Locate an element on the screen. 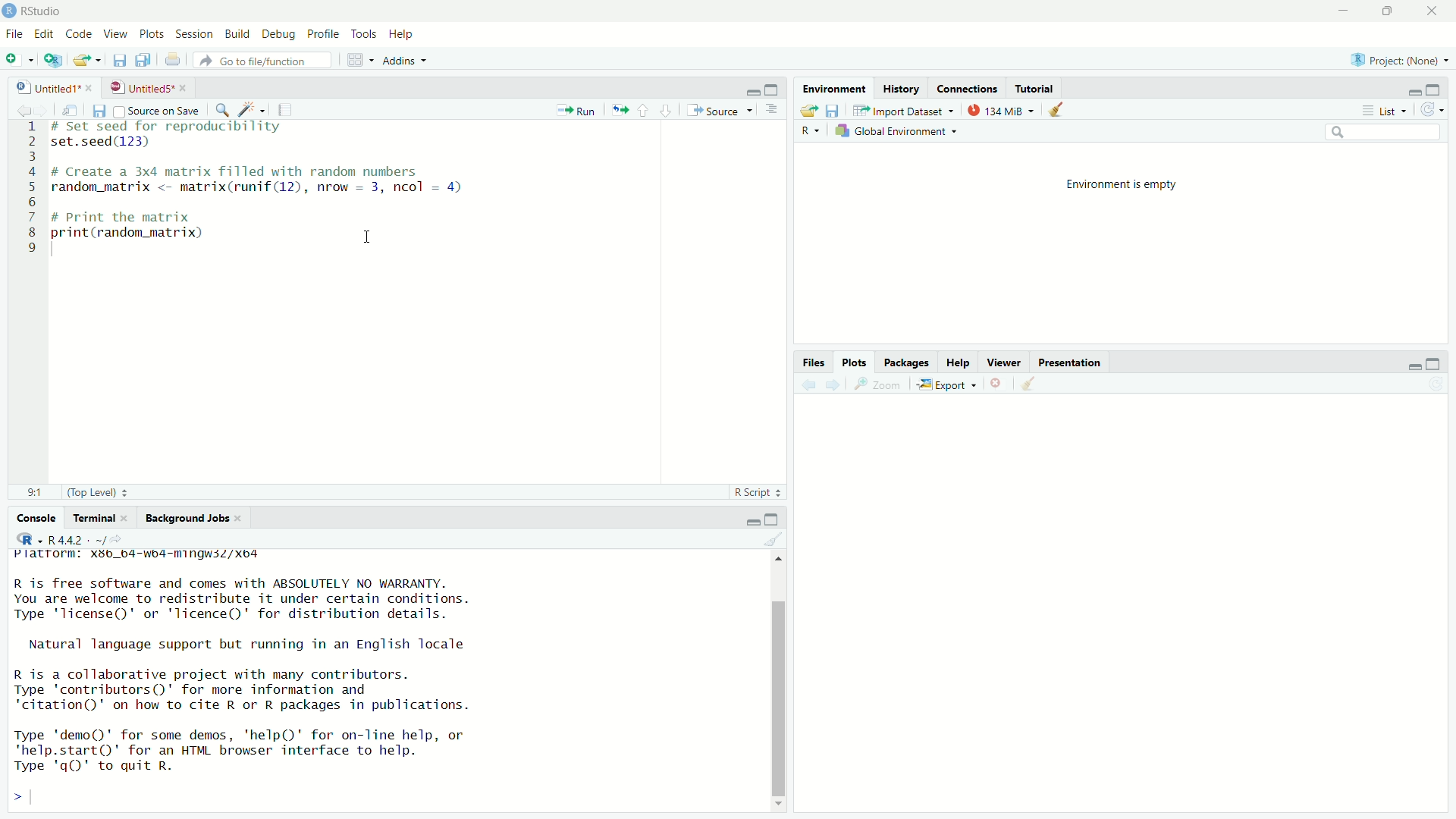  Help is located at coordinates (960, 361).